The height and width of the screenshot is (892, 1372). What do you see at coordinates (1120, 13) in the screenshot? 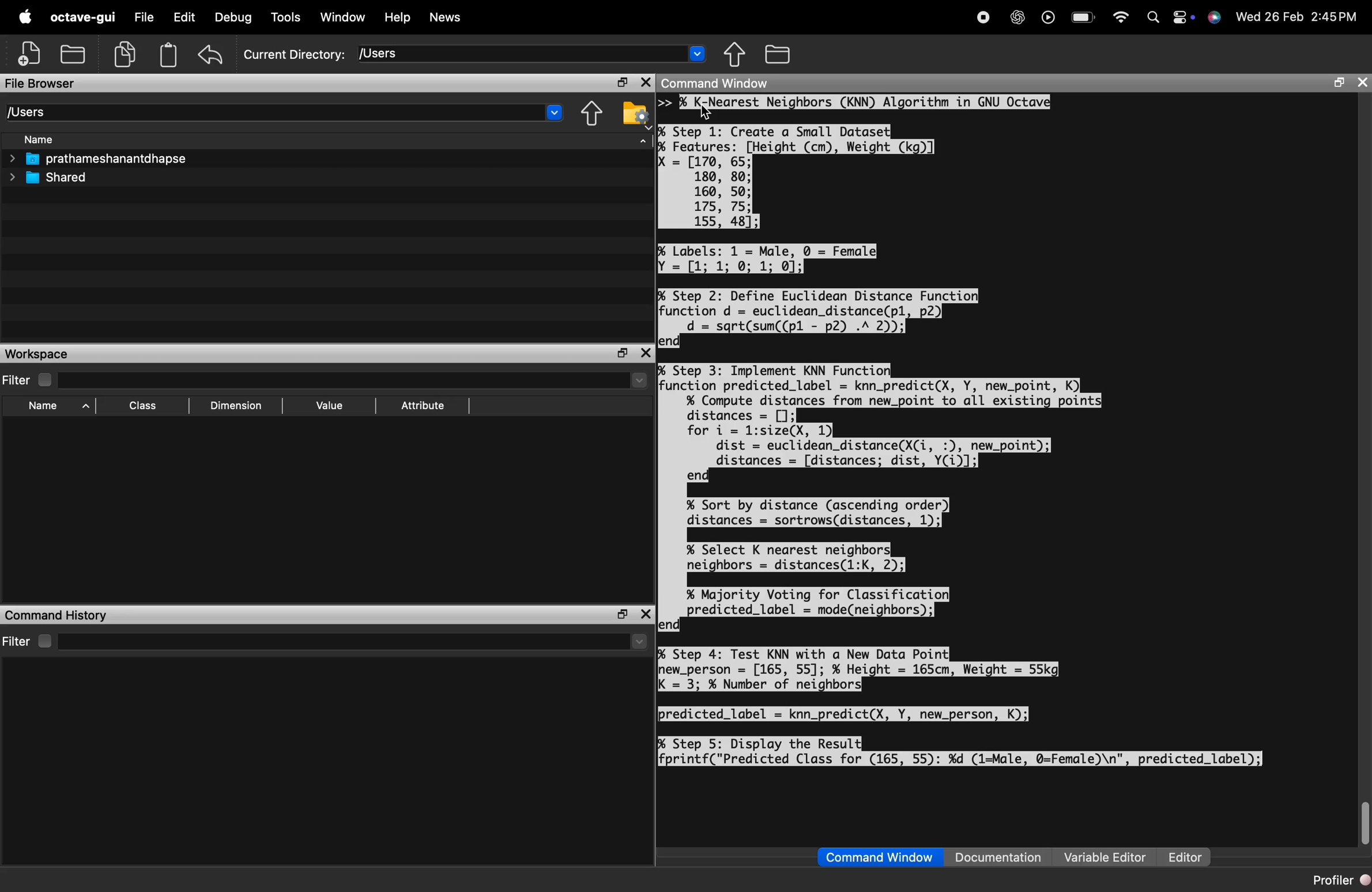
I see `wifi` at bounding box center [1120, 13].